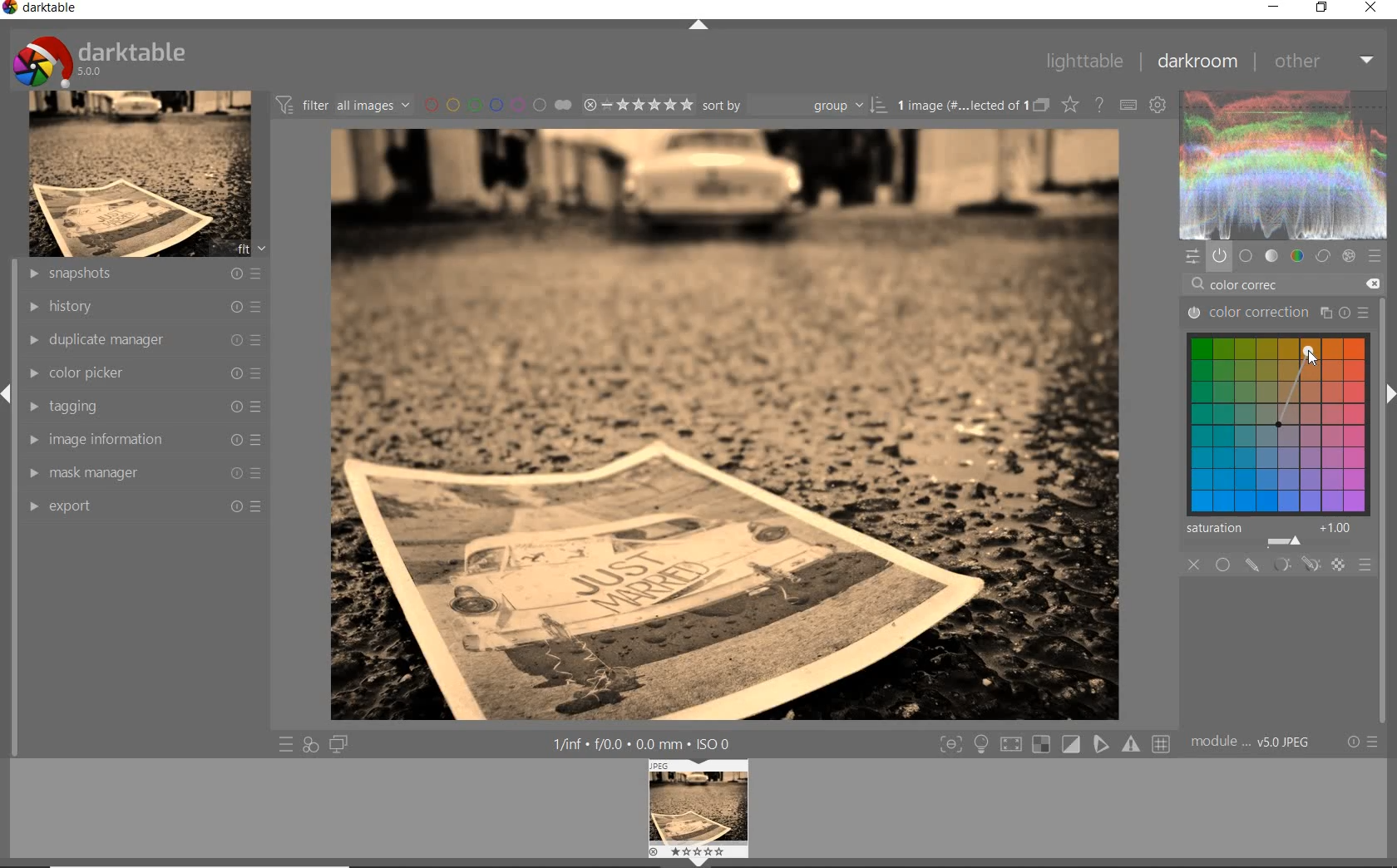 The image size is (1397, 868). What do you see at coordinates (1274, 535) in the screenshot?
I see `saturation` at bounding box center [1274, 535].